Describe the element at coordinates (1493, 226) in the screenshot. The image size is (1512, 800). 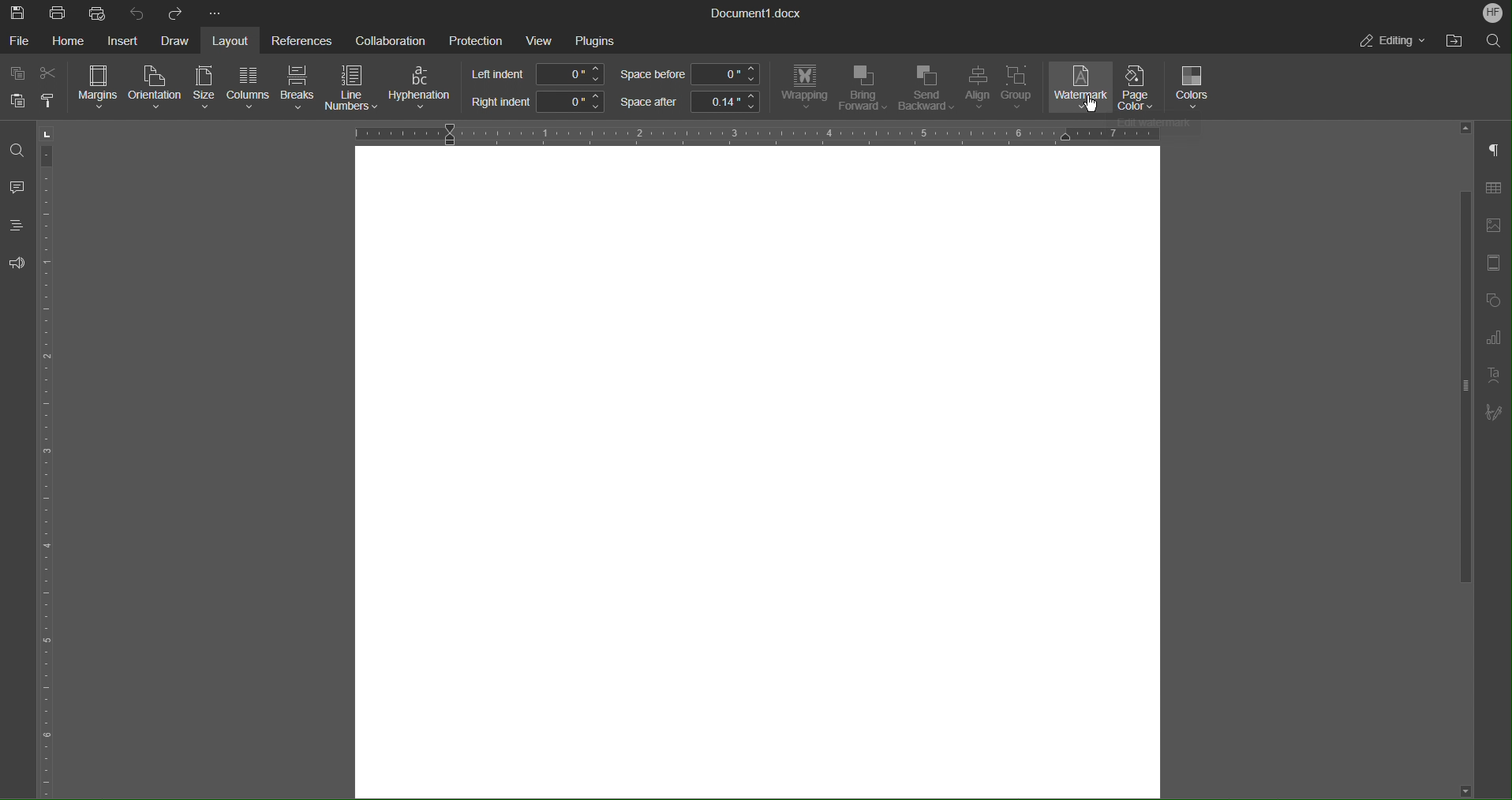
I see `Insert Image` at that location.